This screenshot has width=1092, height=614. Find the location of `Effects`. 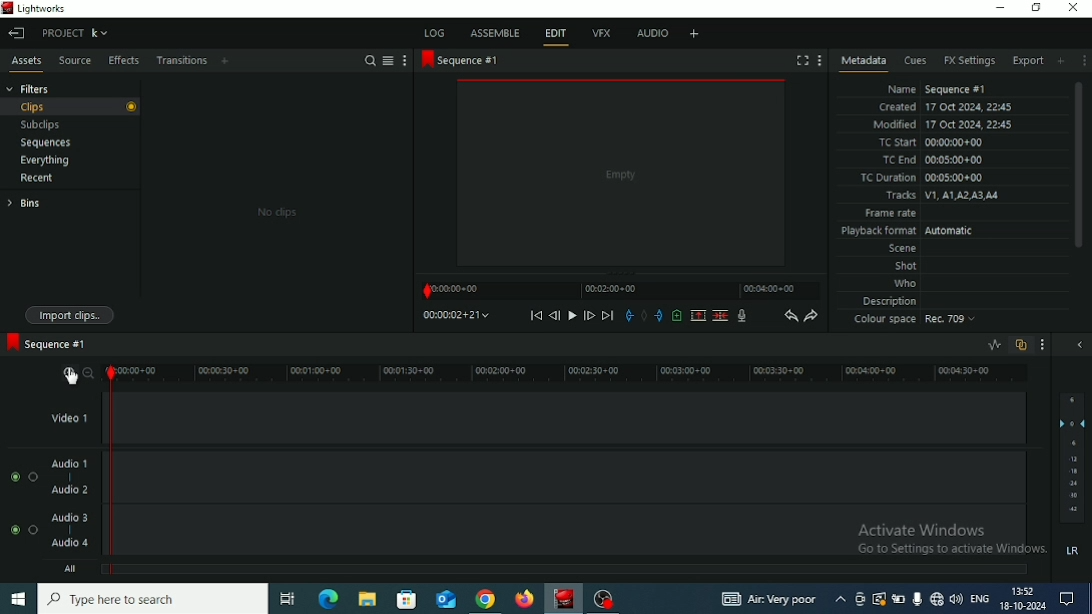

Effects is located at coordinates (122, 61).